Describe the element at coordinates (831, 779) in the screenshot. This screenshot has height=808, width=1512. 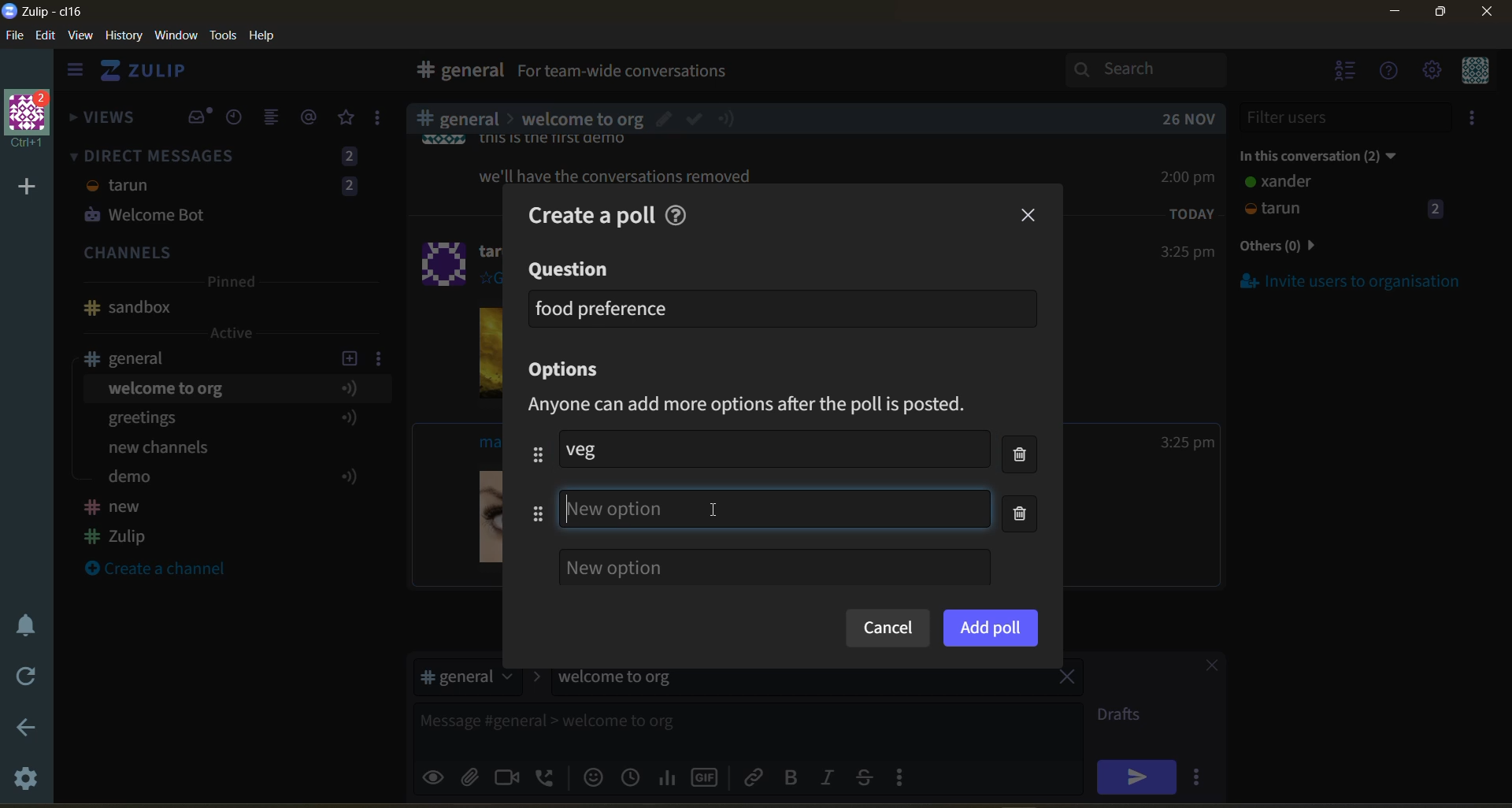
I see `italic` at that location.